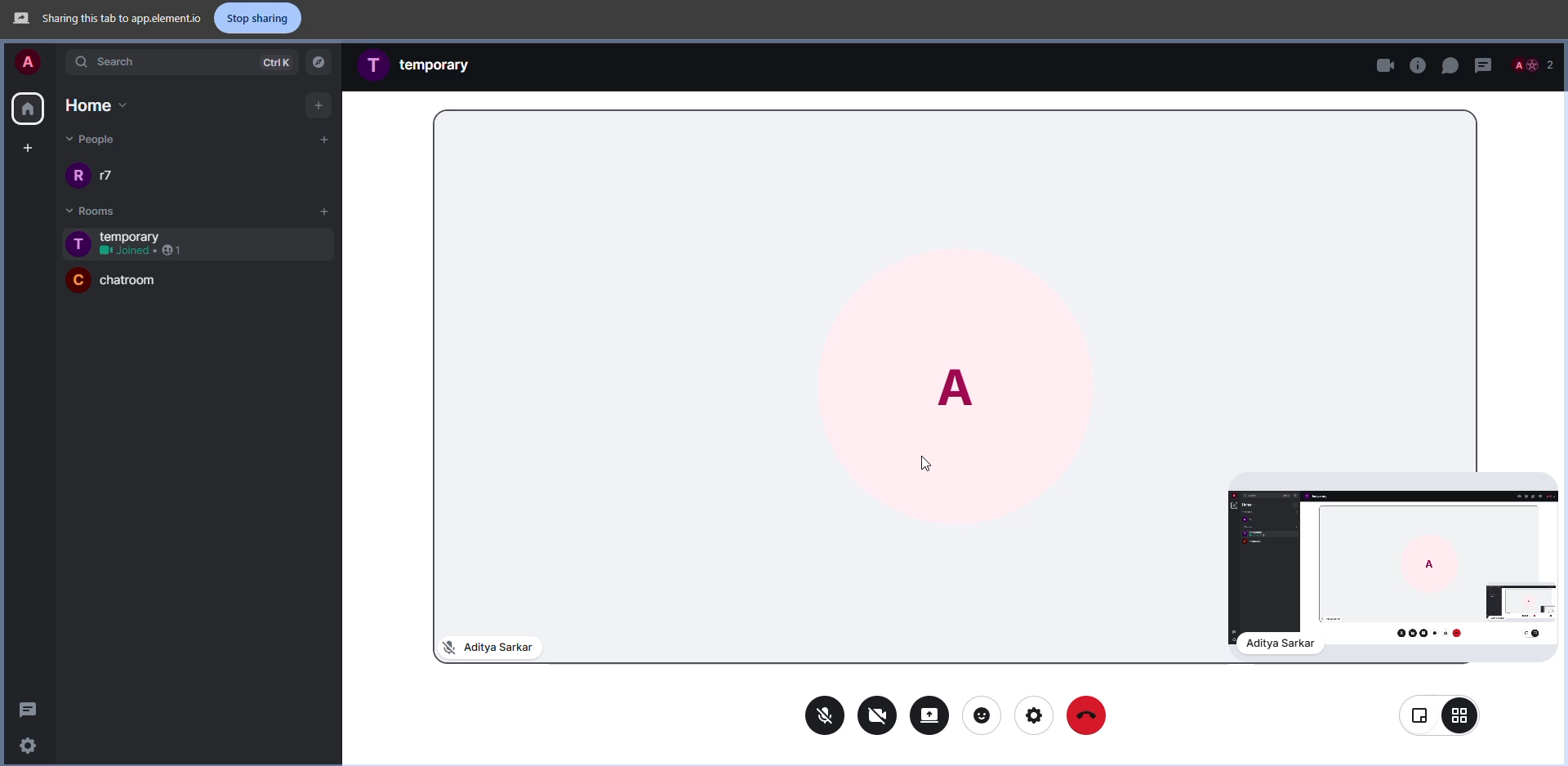  Describe the element at coordinates (958, 381) in the screenshot. I see `profile` at that location.